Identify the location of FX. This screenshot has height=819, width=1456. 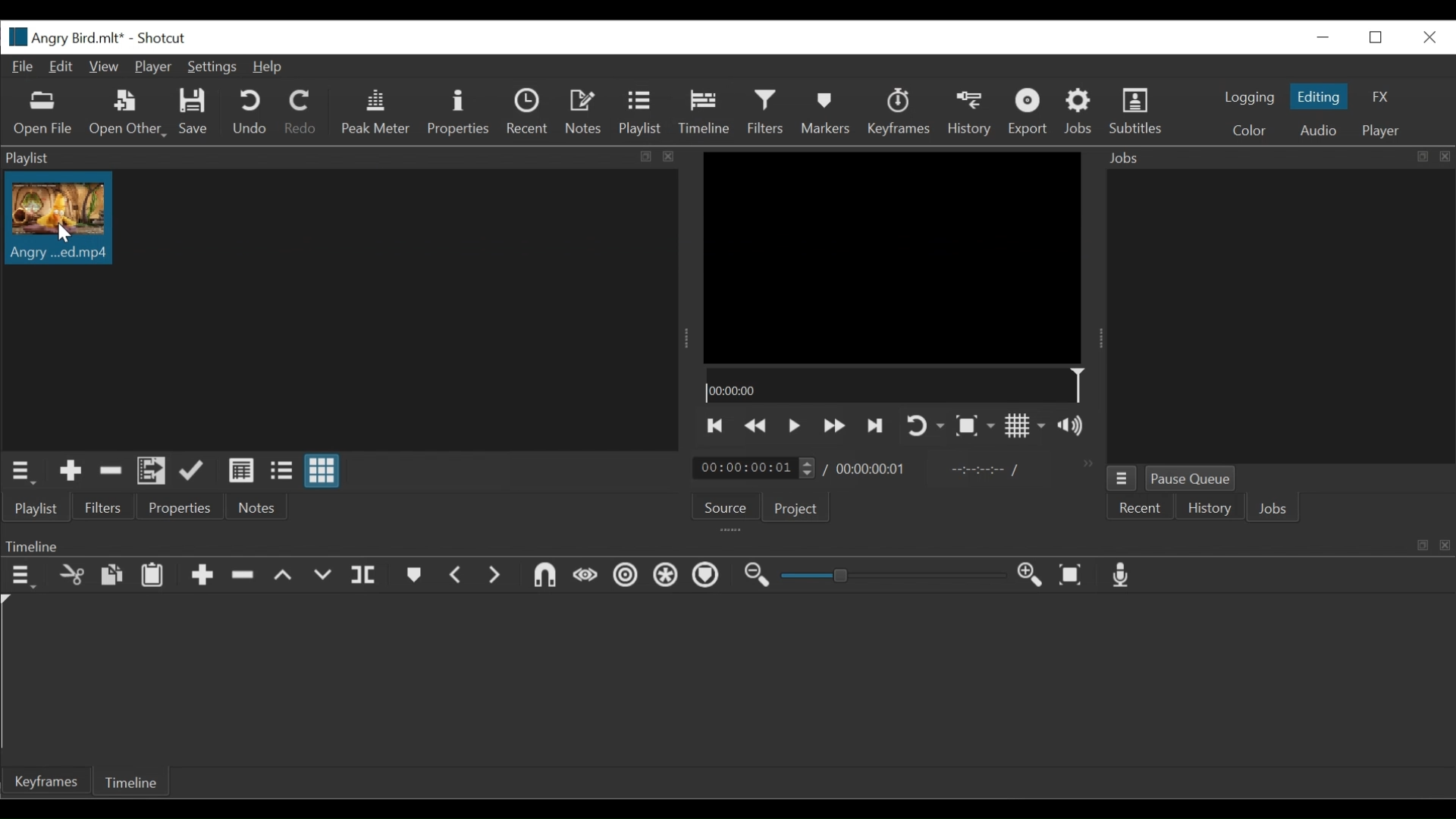
(1385, 99).